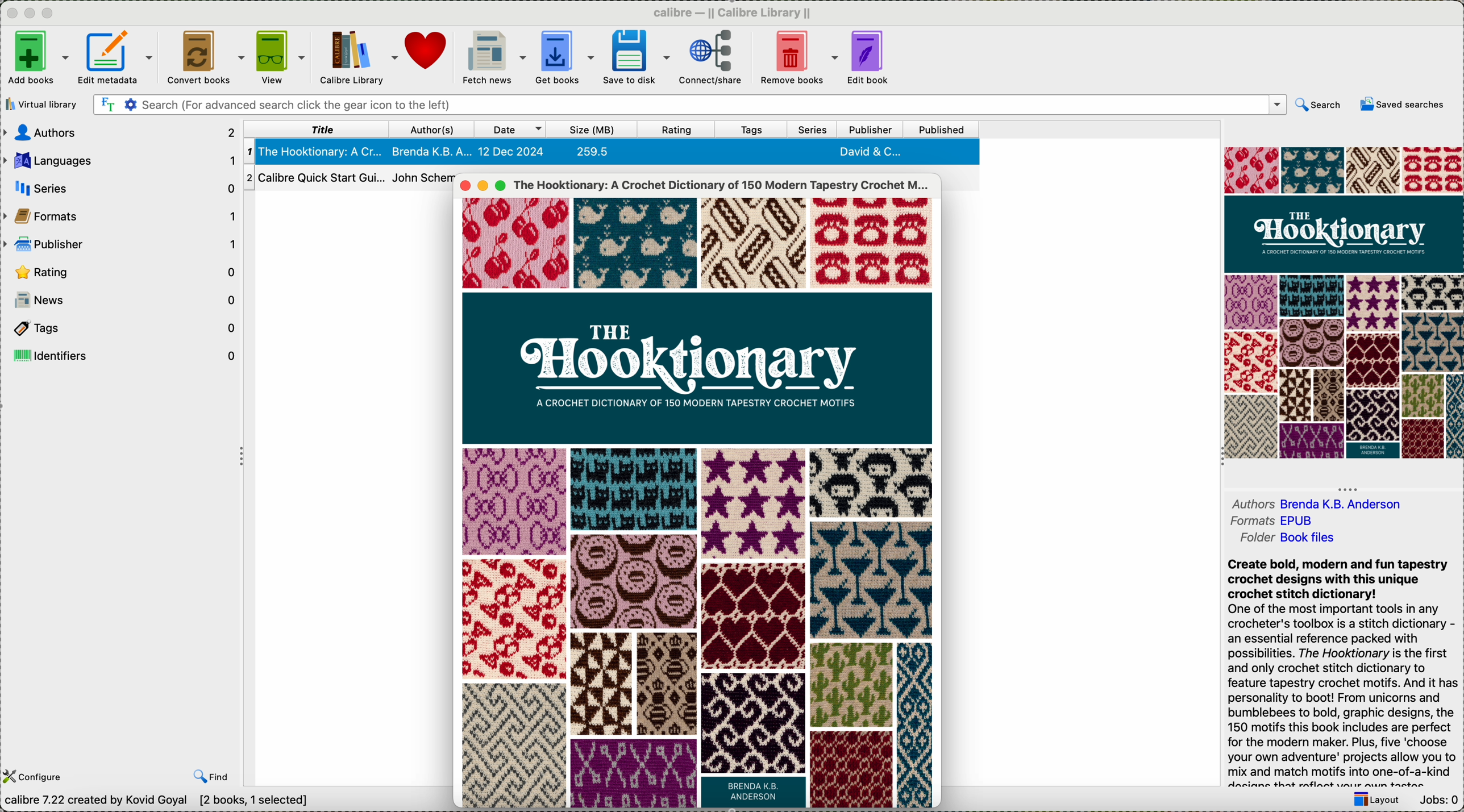 The width and height of the screenshot is (1464, 812). What do you see at coordinates (723, 185) in the screenshot?
I see `book name` at bounding box center [723, 185].